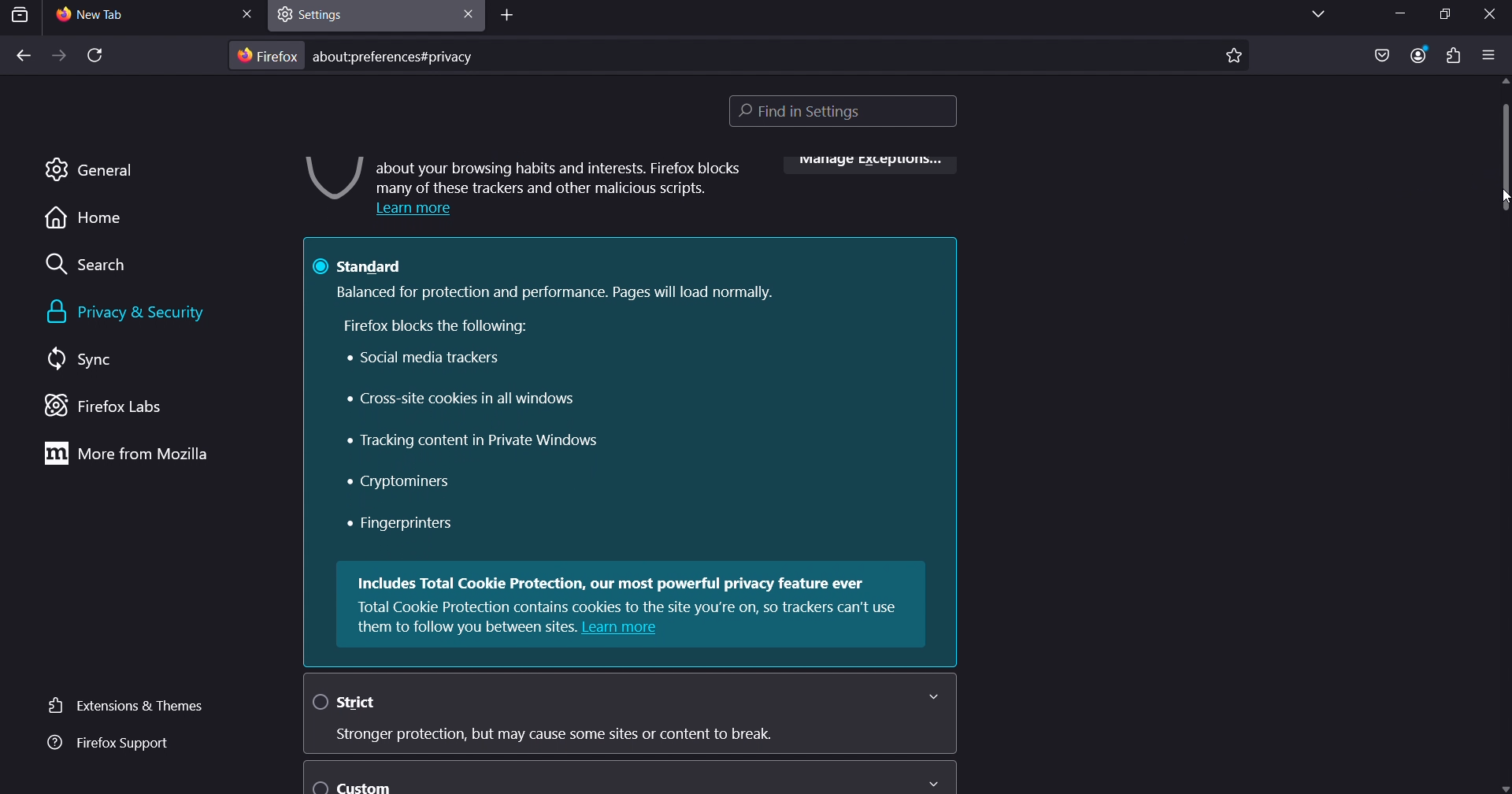 This screenshot has height=794, width=1512. Describe the element at coordinates (106, 744) in the screenshot. I see `firefox support` at that location.